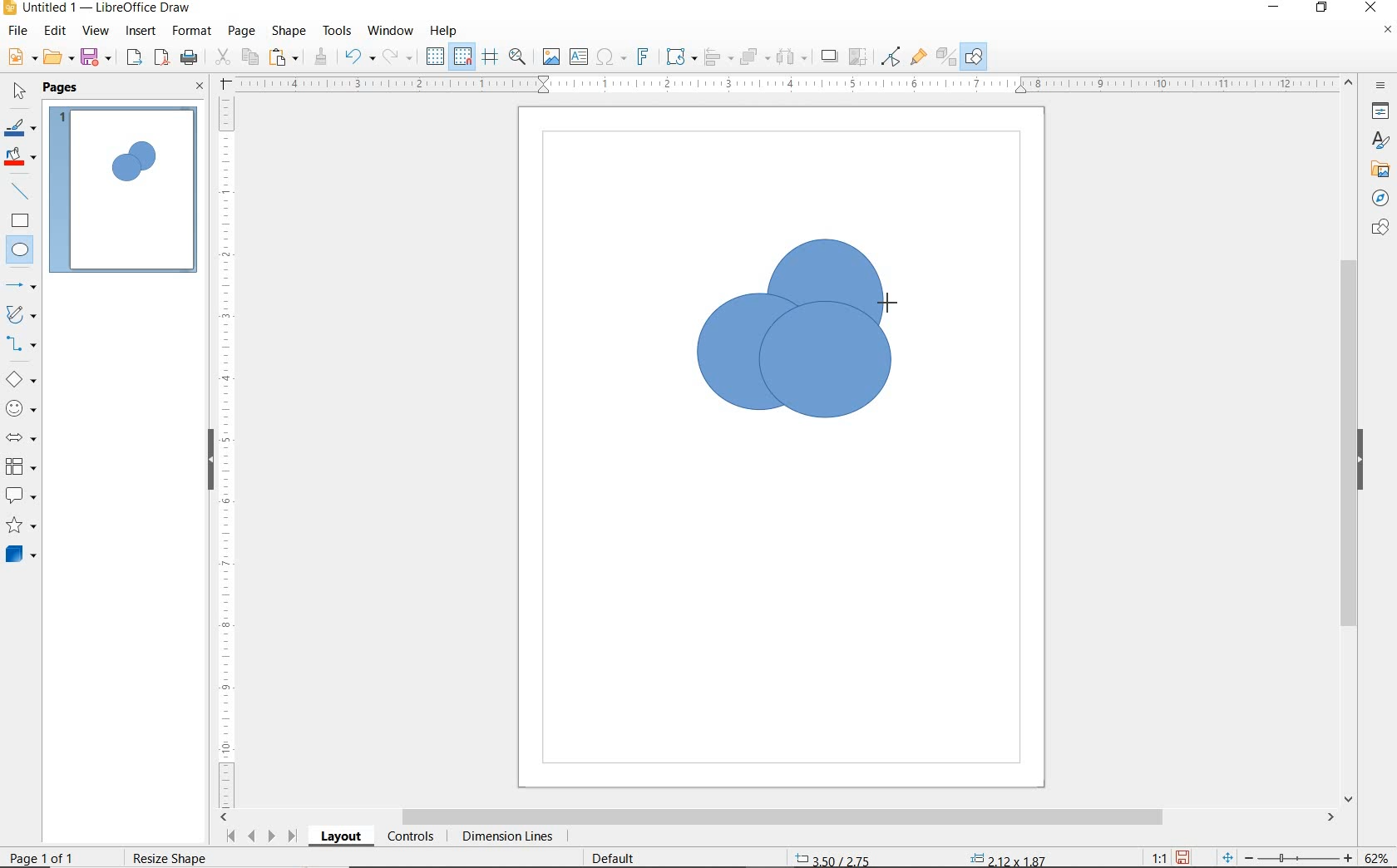 The height and width of the screenshot is (868, 1397). Describe the element at coordinates (259, 836) in the screenshot. I see `SCROLL NEXT` at that location.